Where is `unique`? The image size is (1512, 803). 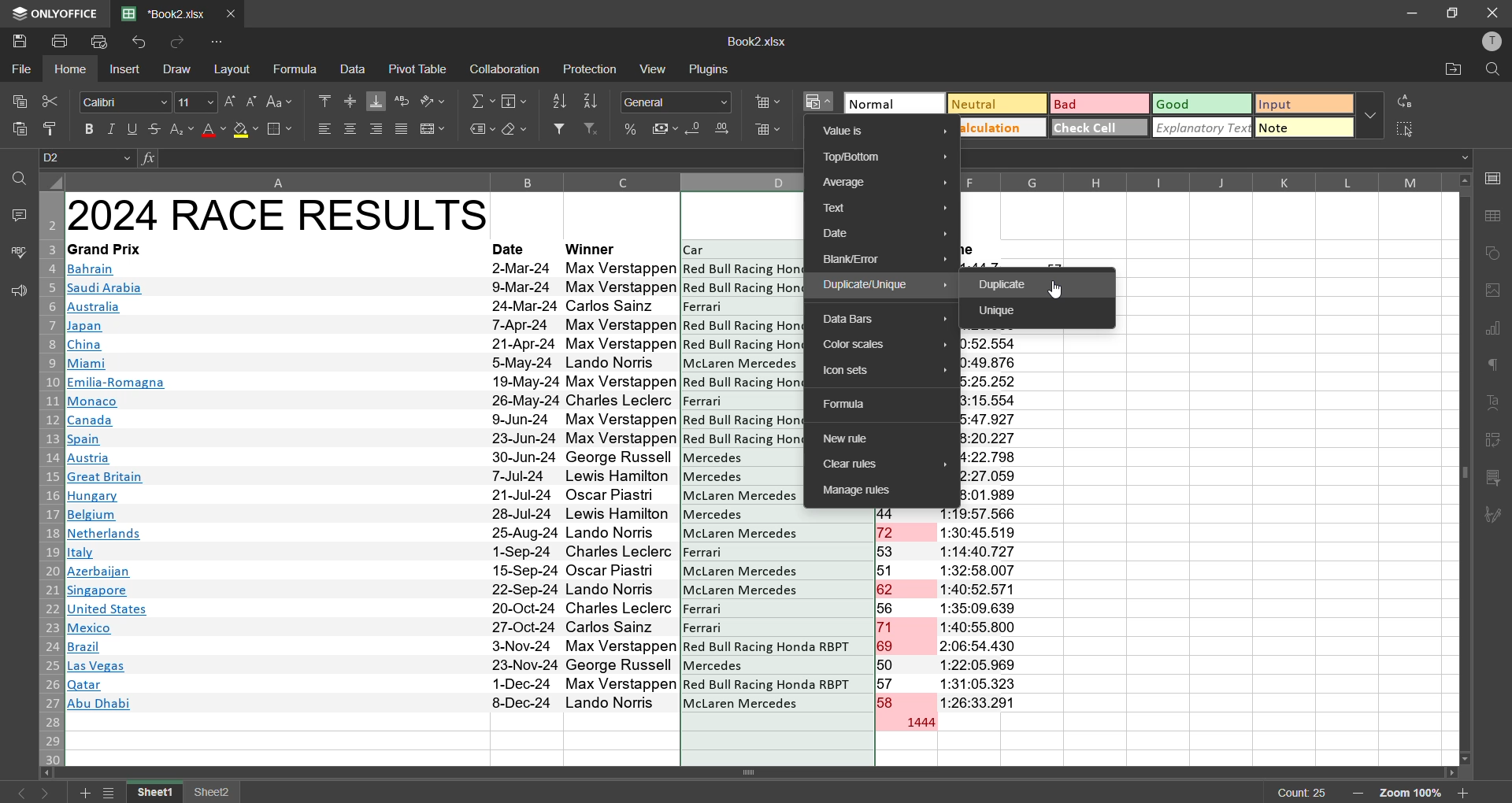
unique is located at coordinates (1003, 312).